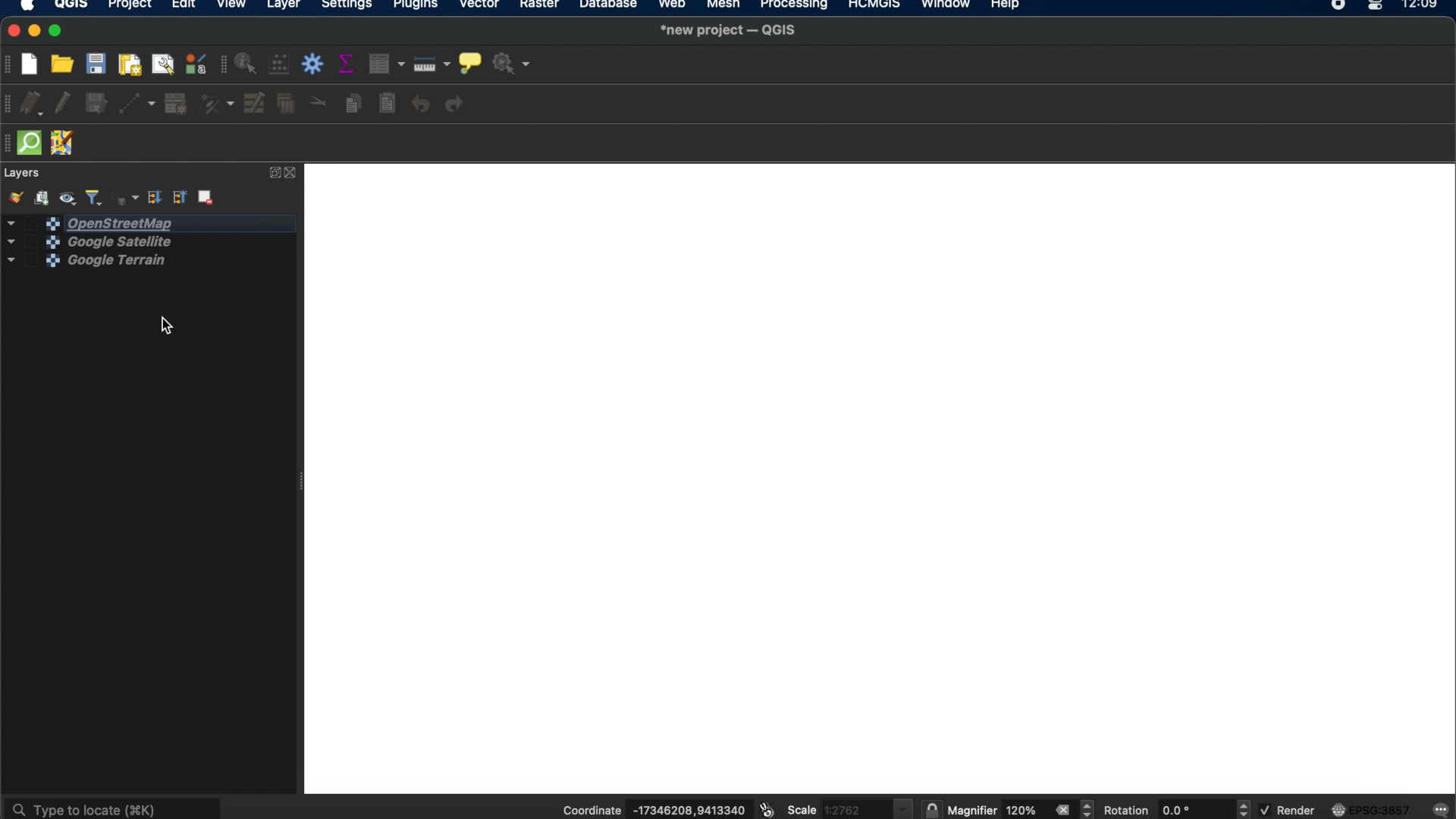 The width and height of the screenshot is (1456, 819). I want to click on google terrain, so click(83, 263).